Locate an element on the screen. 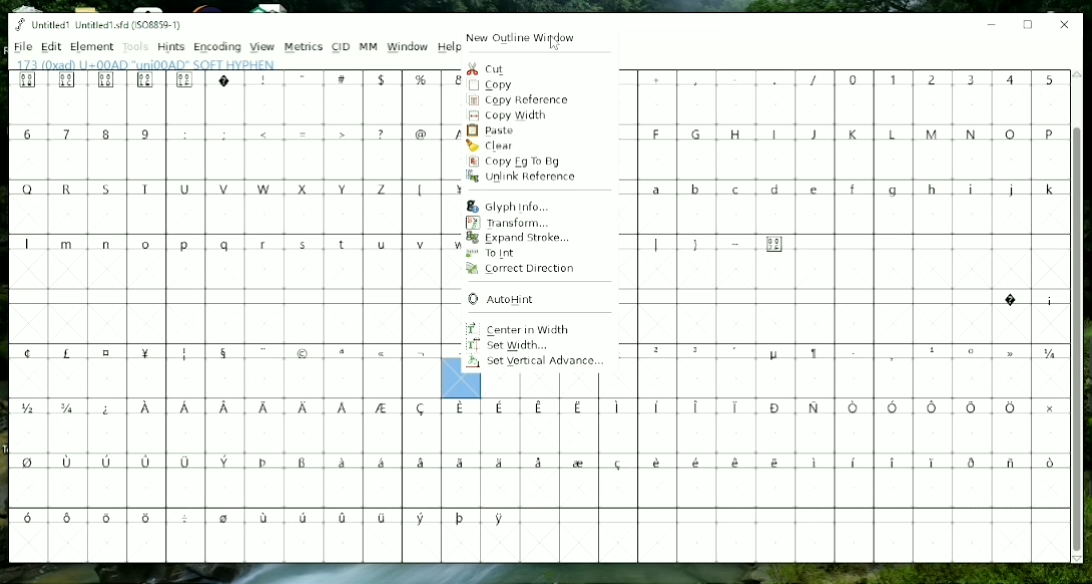 The height and width of the screenshot is (584, 1092). Hints is located at coordinates (172, 47).